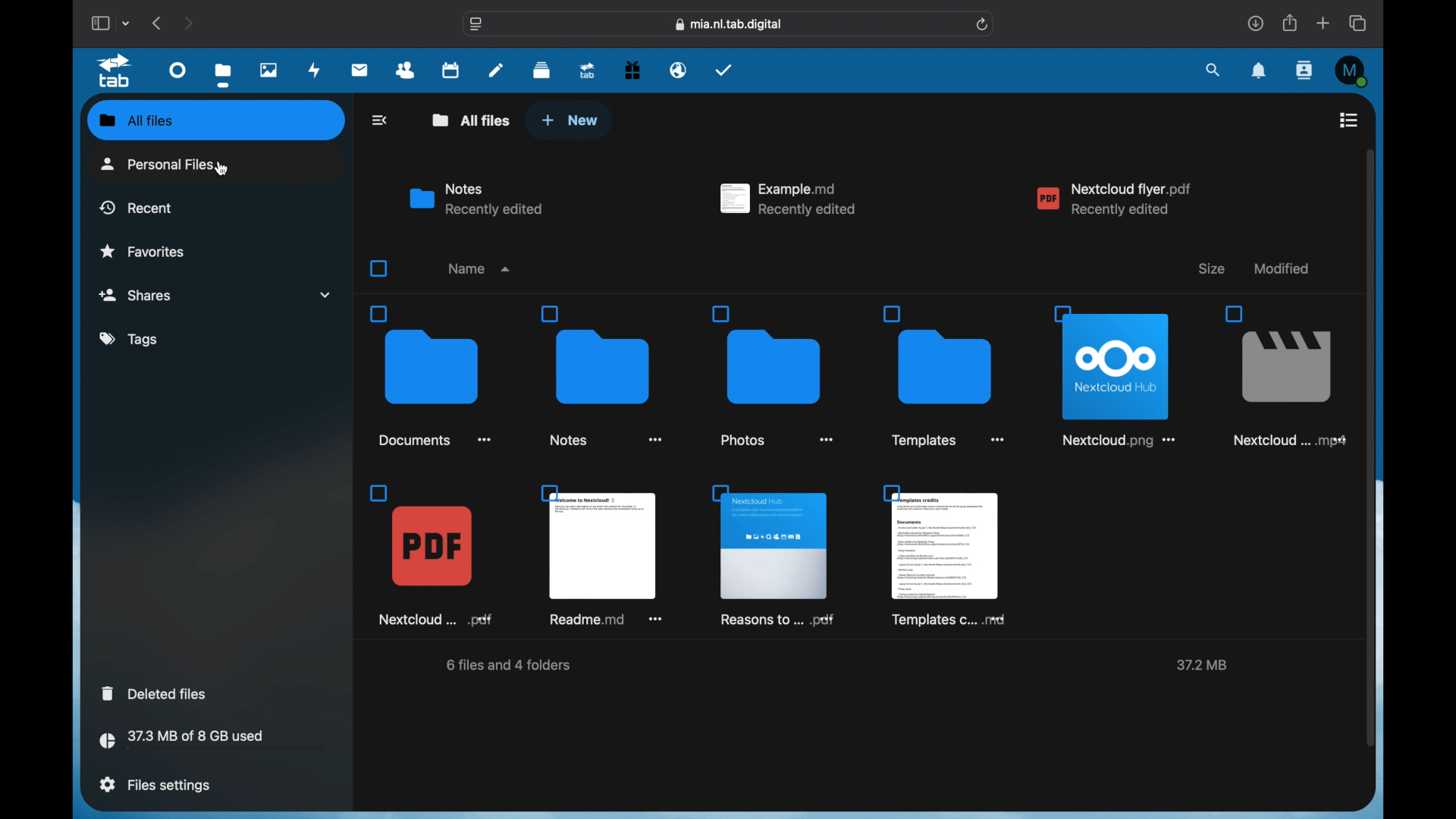  I want to click on downloads, so click(1255, 23).